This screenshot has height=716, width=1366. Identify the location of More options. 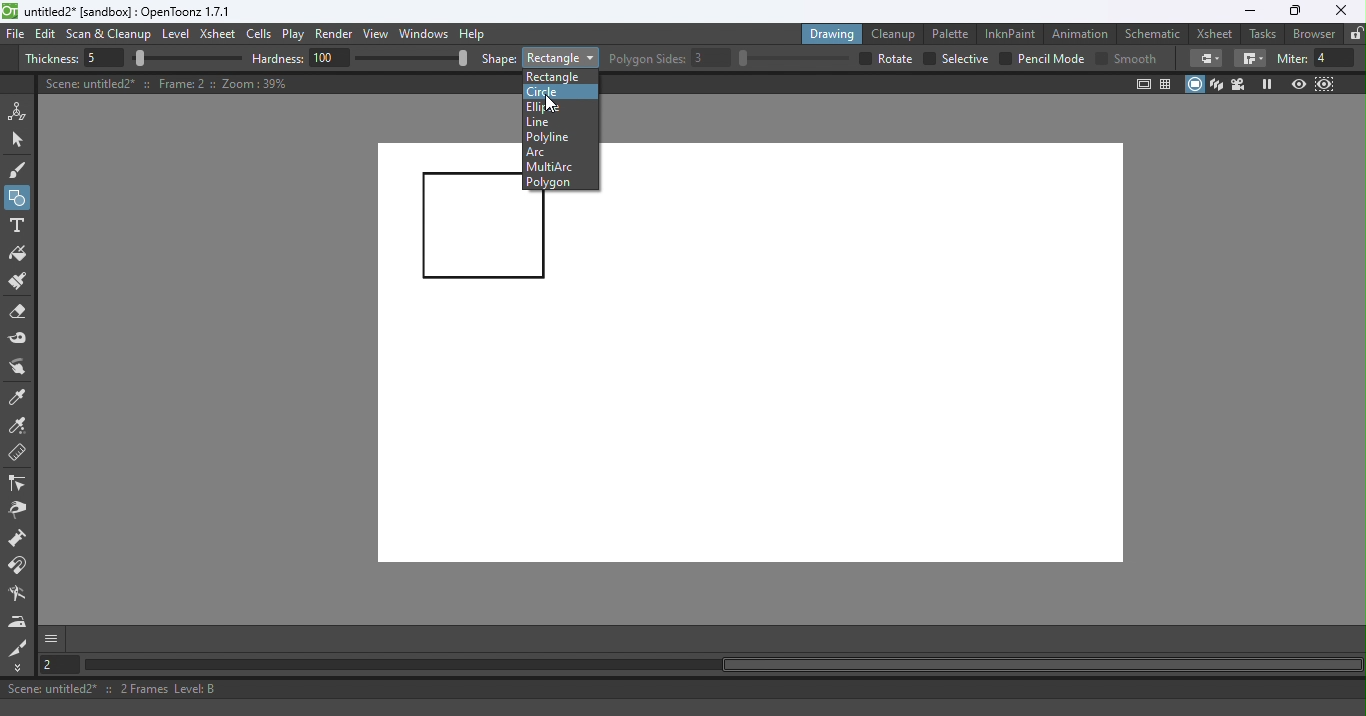
(51, 638).